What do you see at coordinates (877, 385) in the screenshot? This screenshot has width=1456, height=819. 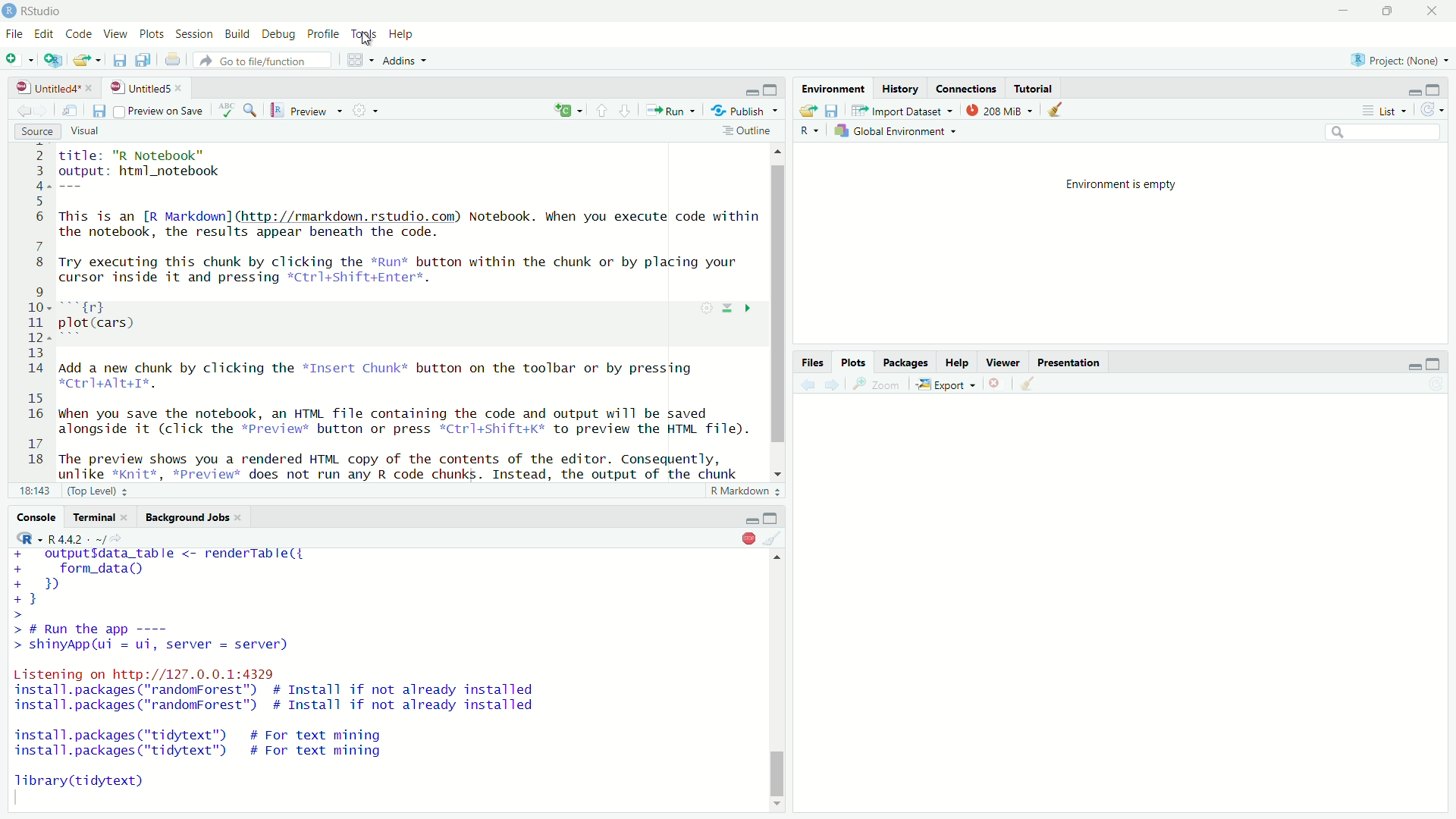 I see `Zoom` at bounding box center [877, 385].